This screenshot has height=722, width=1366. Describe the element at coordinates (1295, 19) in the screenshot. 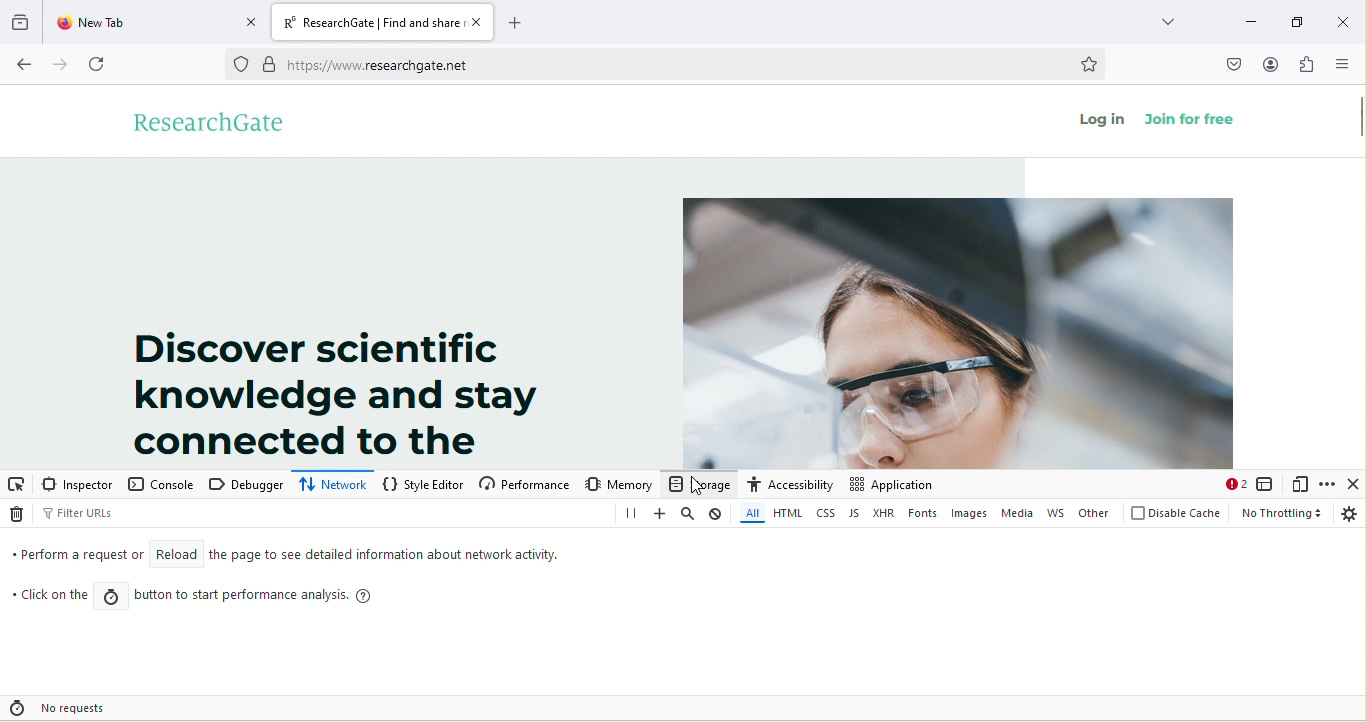

I see `maximize` at that location.